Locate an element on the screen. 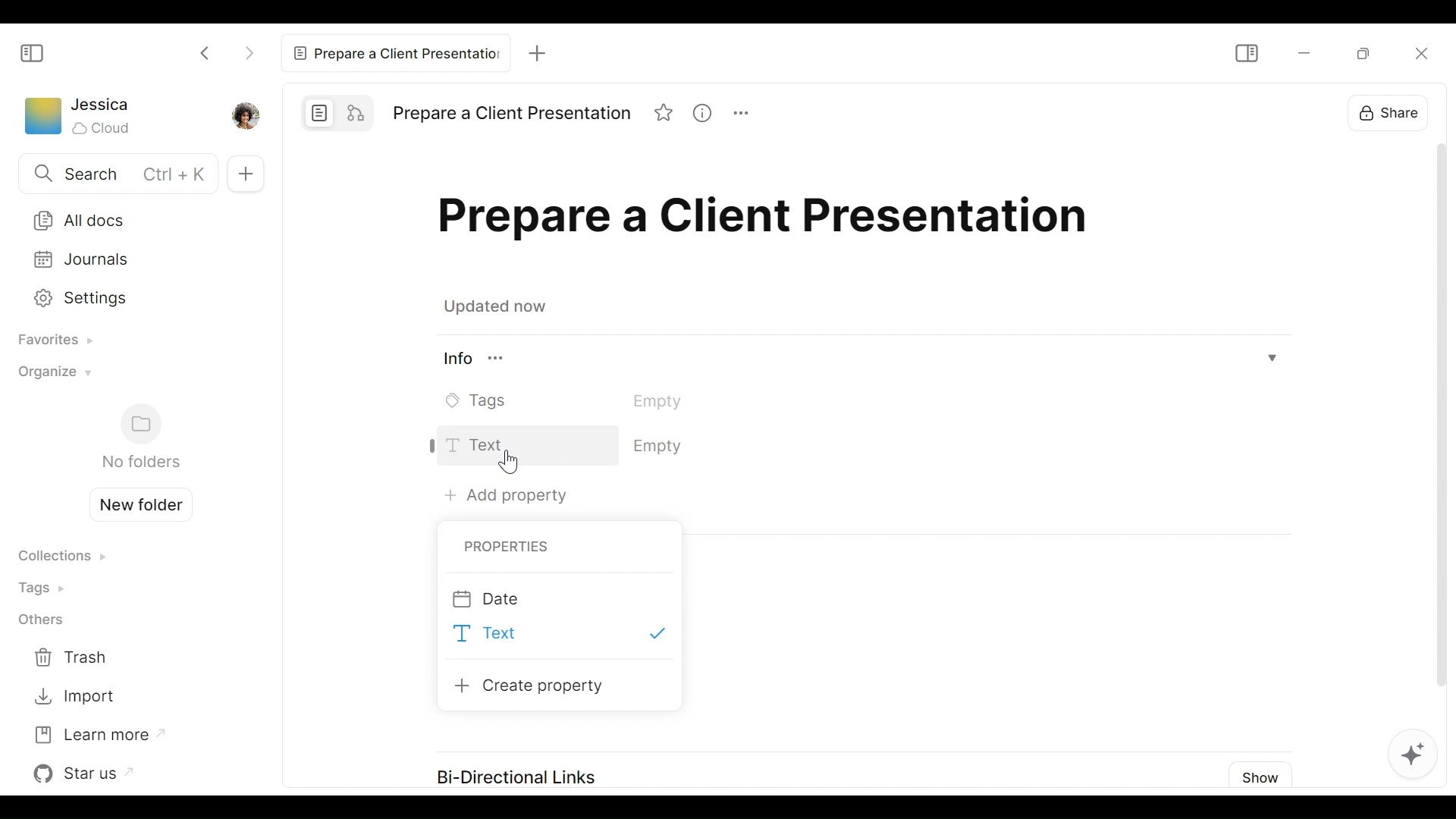 This screenshot has height=819, width=1456. Tags is located at coordinates (46, 587).